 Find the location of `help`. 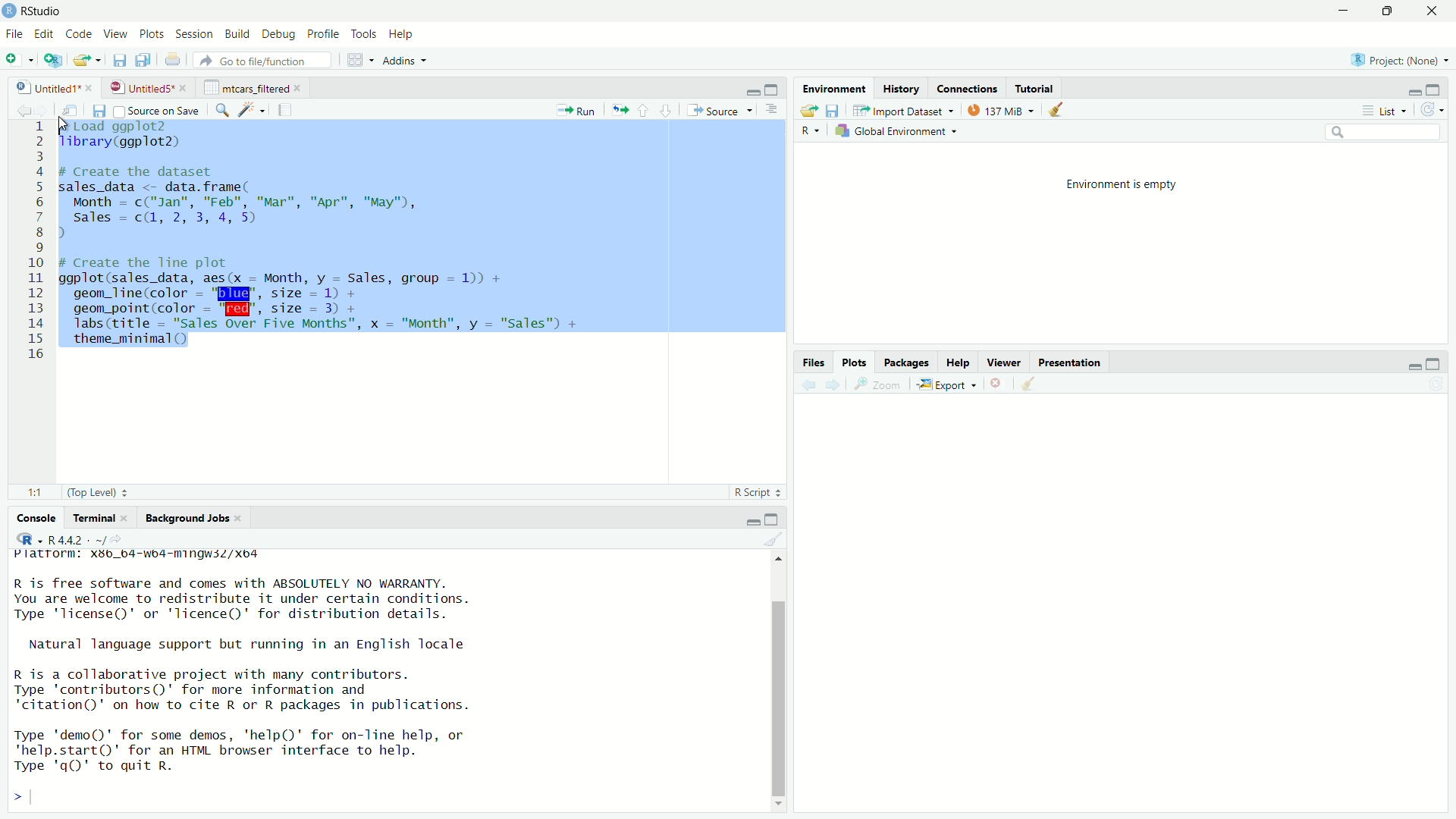

help is located at coordinates (959, 363).